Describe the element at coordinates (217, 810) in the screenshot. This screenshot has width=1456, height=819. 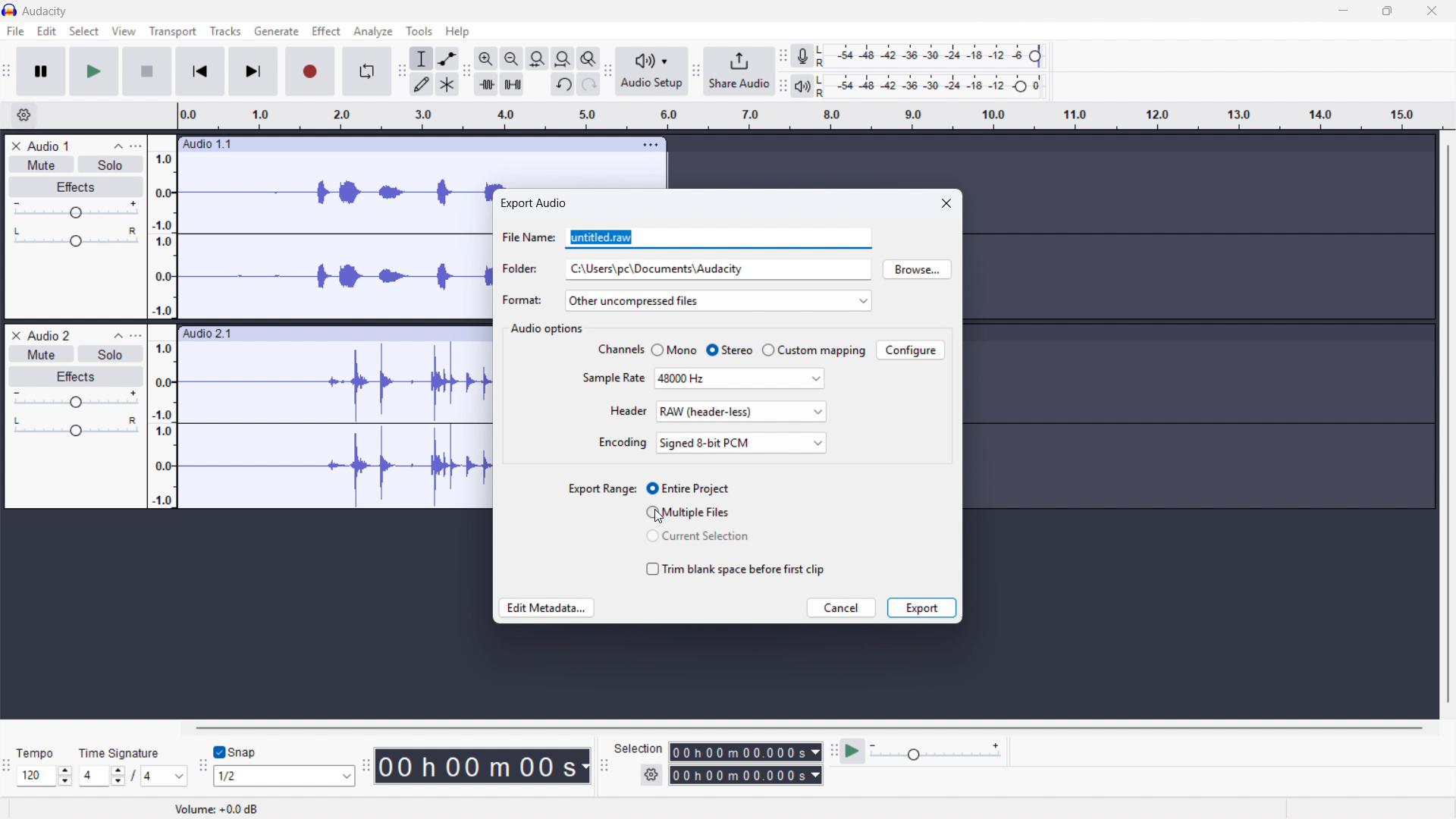
I see `volume +0.0 dB` at that location.